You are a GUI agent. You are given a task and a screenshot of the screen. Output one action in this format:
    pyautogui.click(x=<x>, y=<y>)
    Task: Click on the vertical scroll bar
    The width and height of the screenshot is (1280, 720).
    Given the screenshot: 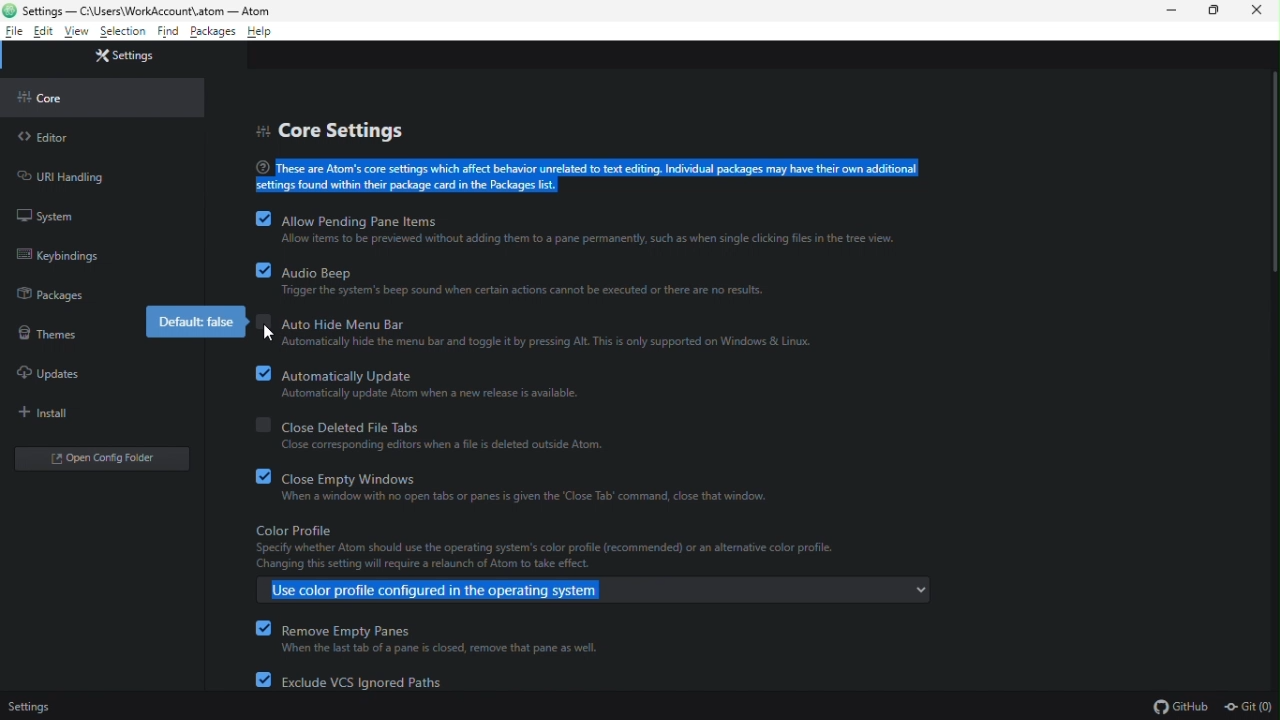 What is the action you would take?
    pyautogui.click(x=1272, y=174)
    